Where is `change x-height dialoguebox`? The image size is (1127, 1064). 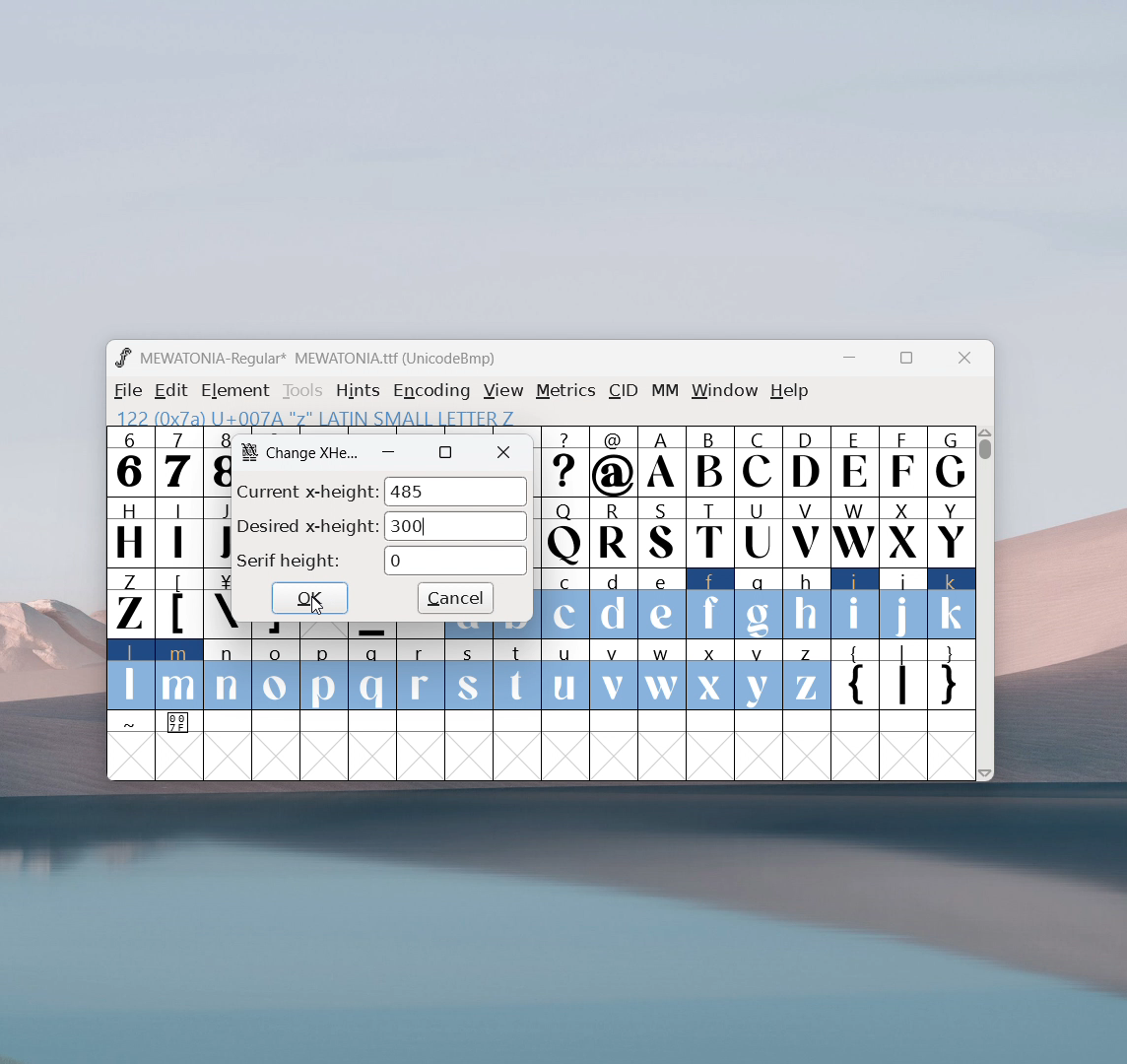
change x-height dialoguebox is located at coordinates (314, 454).